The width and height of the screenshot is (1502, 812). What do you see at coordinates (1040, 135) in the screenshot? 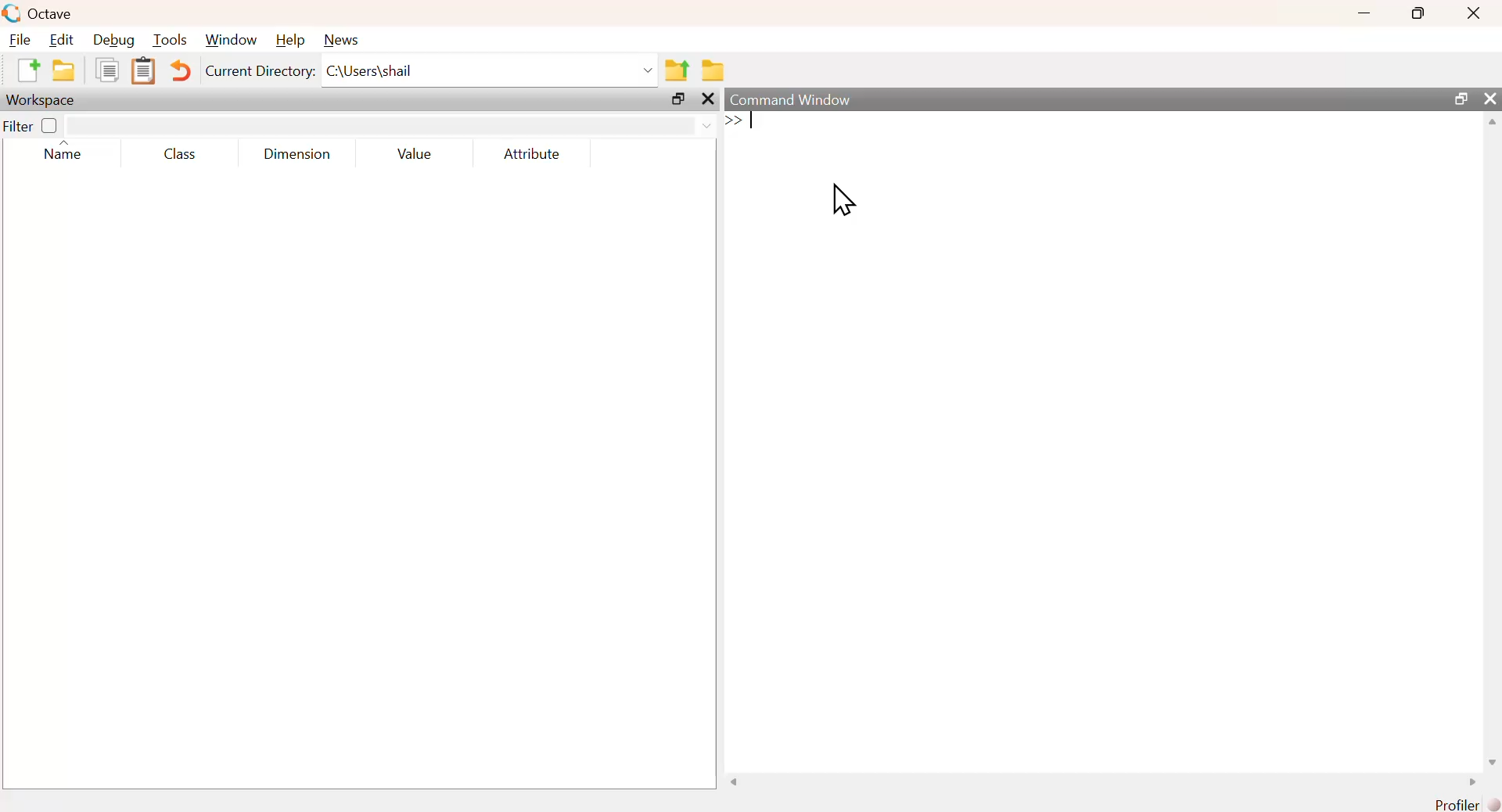
I see `command` at bounding box center [1040, 135].